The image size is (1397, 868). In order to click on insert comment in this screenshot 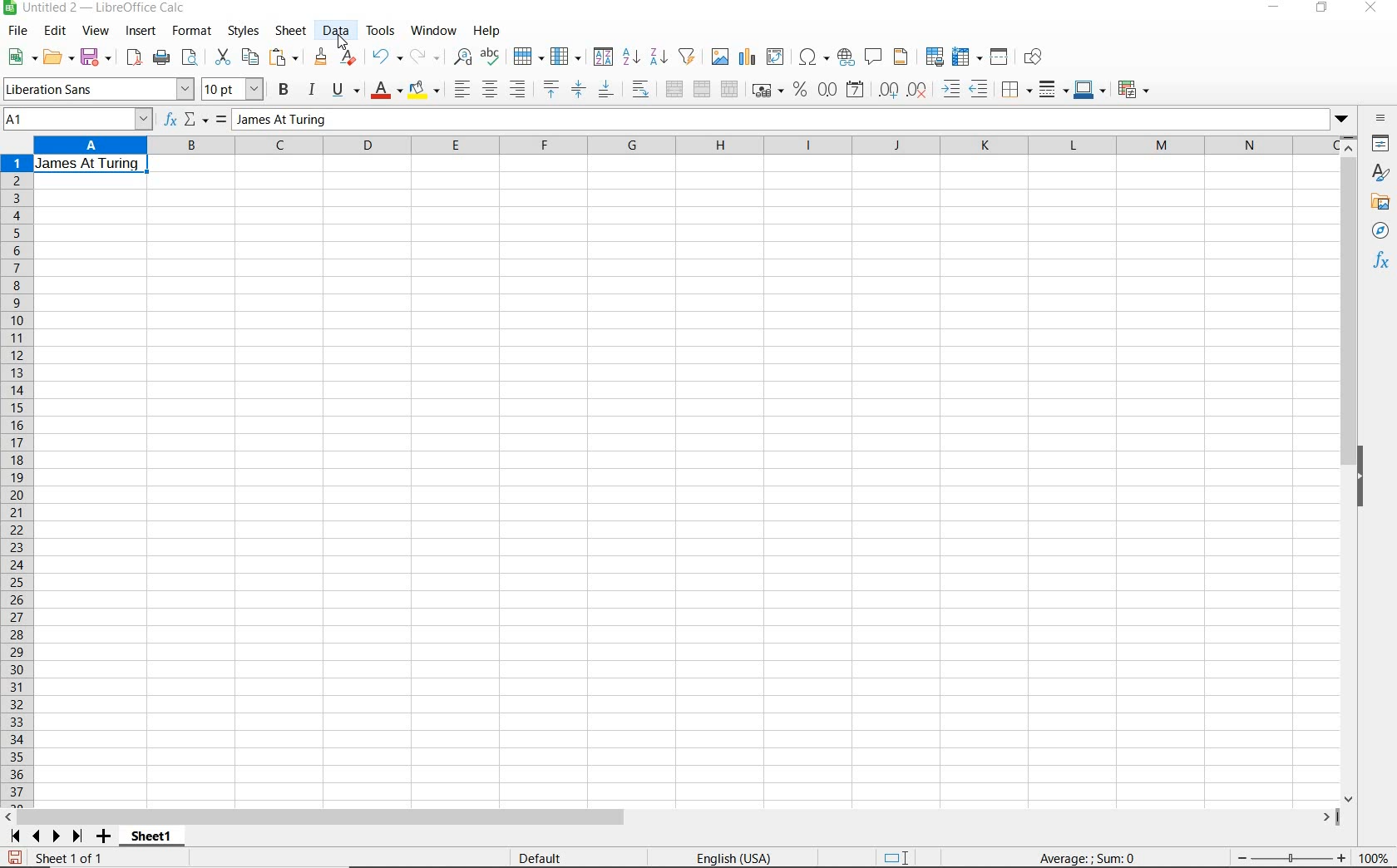, I will do `click(875, 57)`.